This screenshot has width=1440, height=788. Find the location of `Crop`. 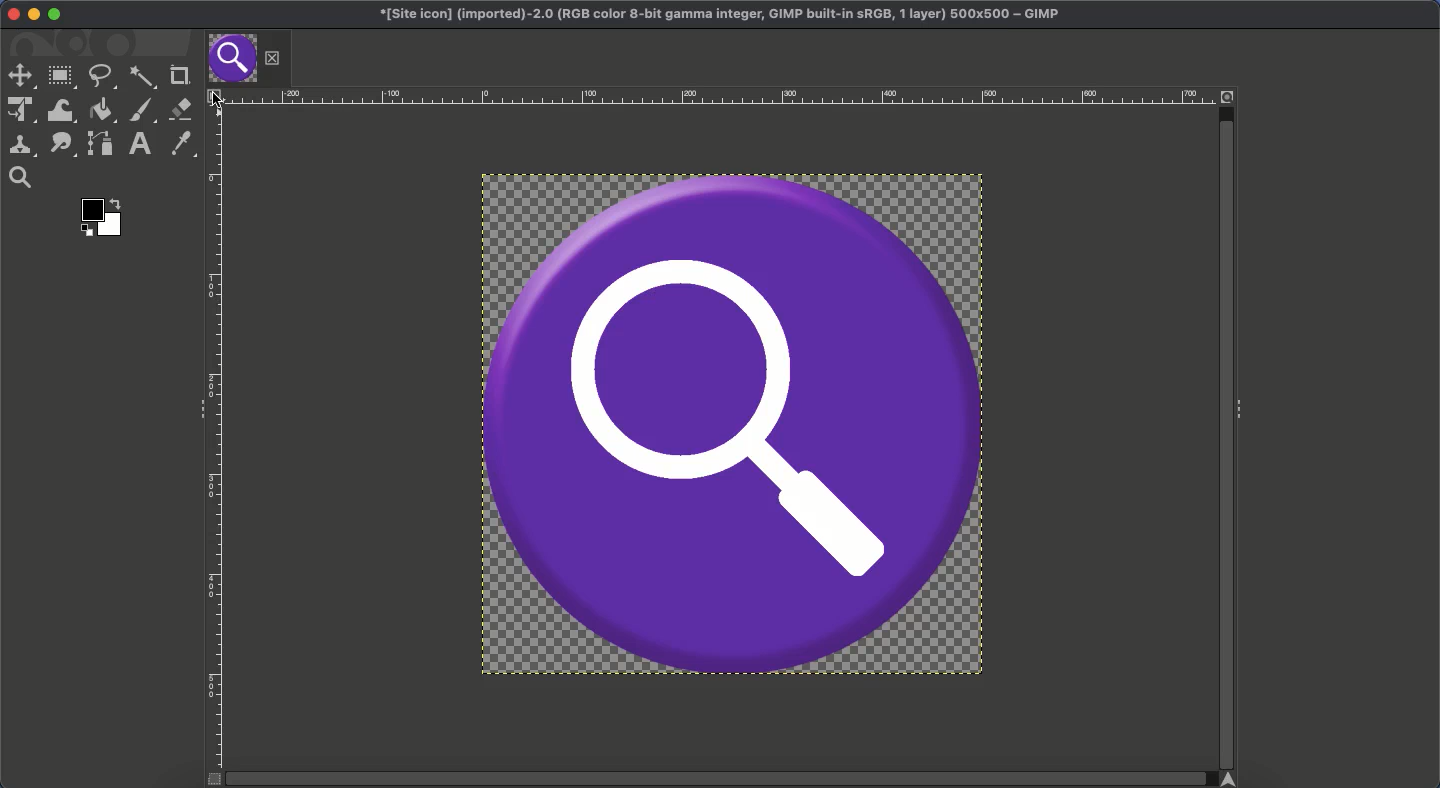

Crop is located at coordinates (179, 73).